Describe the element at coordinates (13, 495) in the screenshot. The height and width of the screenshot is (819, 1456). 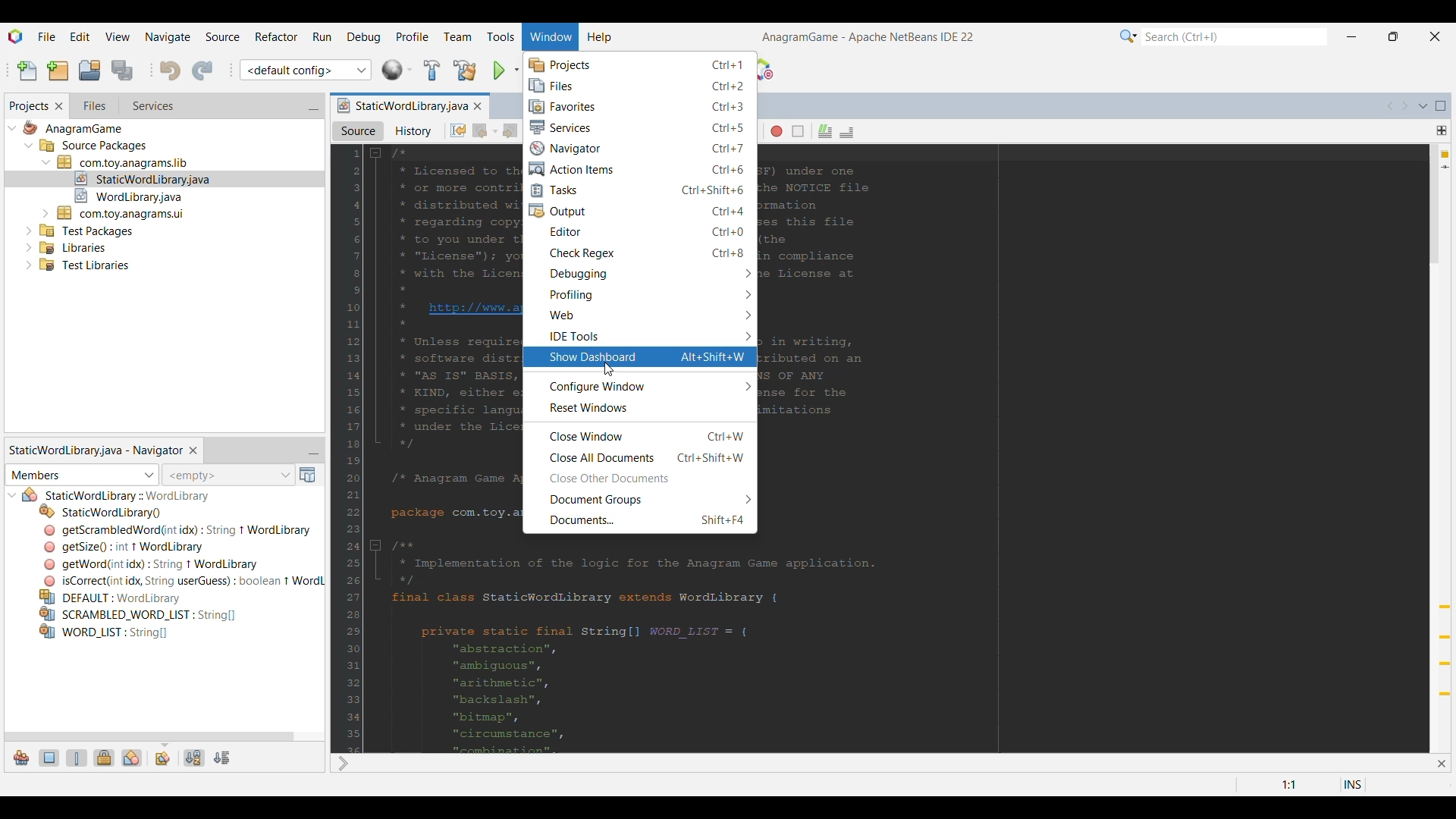
I see `Click to collapse current file` at that location.